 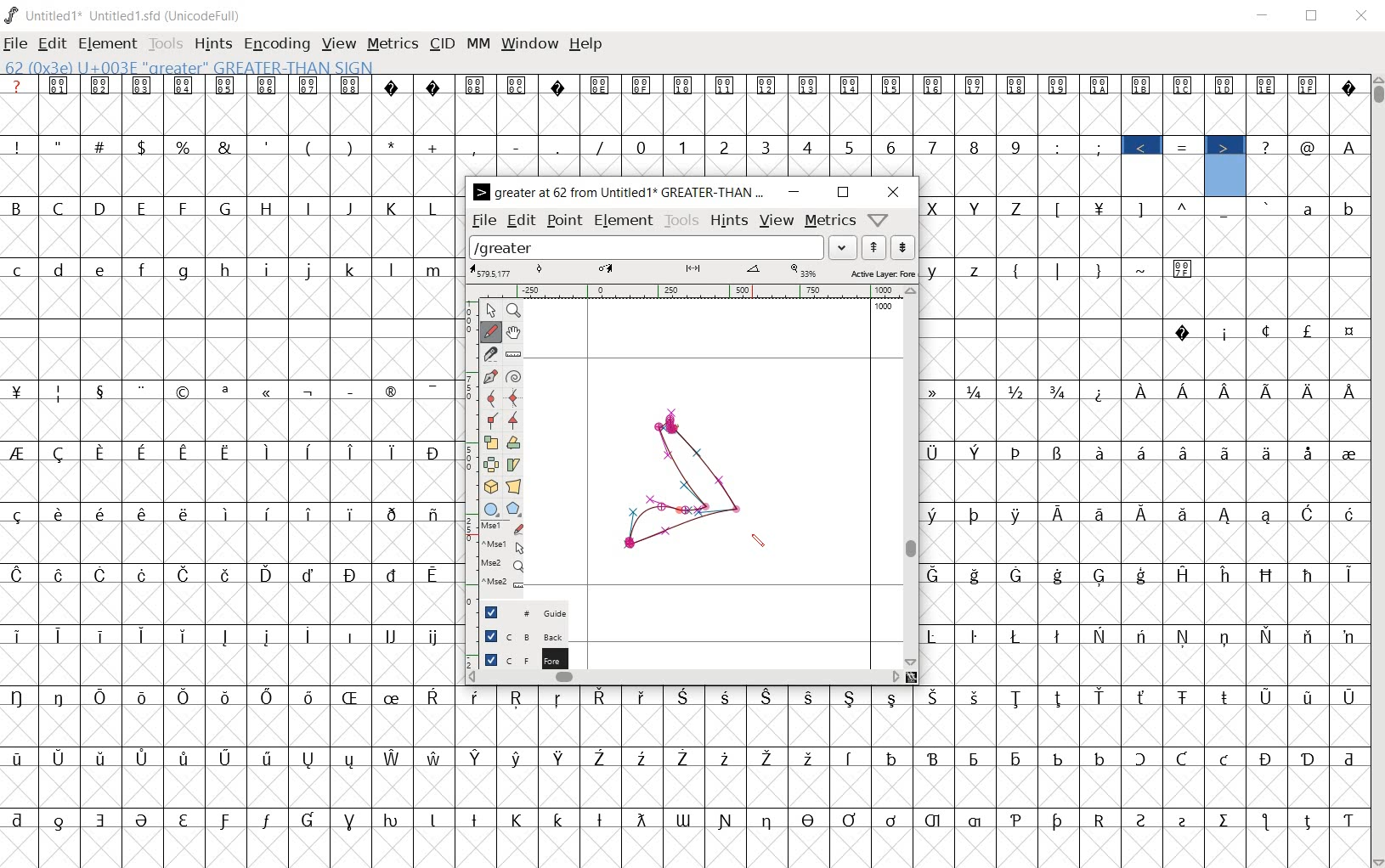 I want to click on perform a perspective transformation on the selection, so click(x=514, y=486).